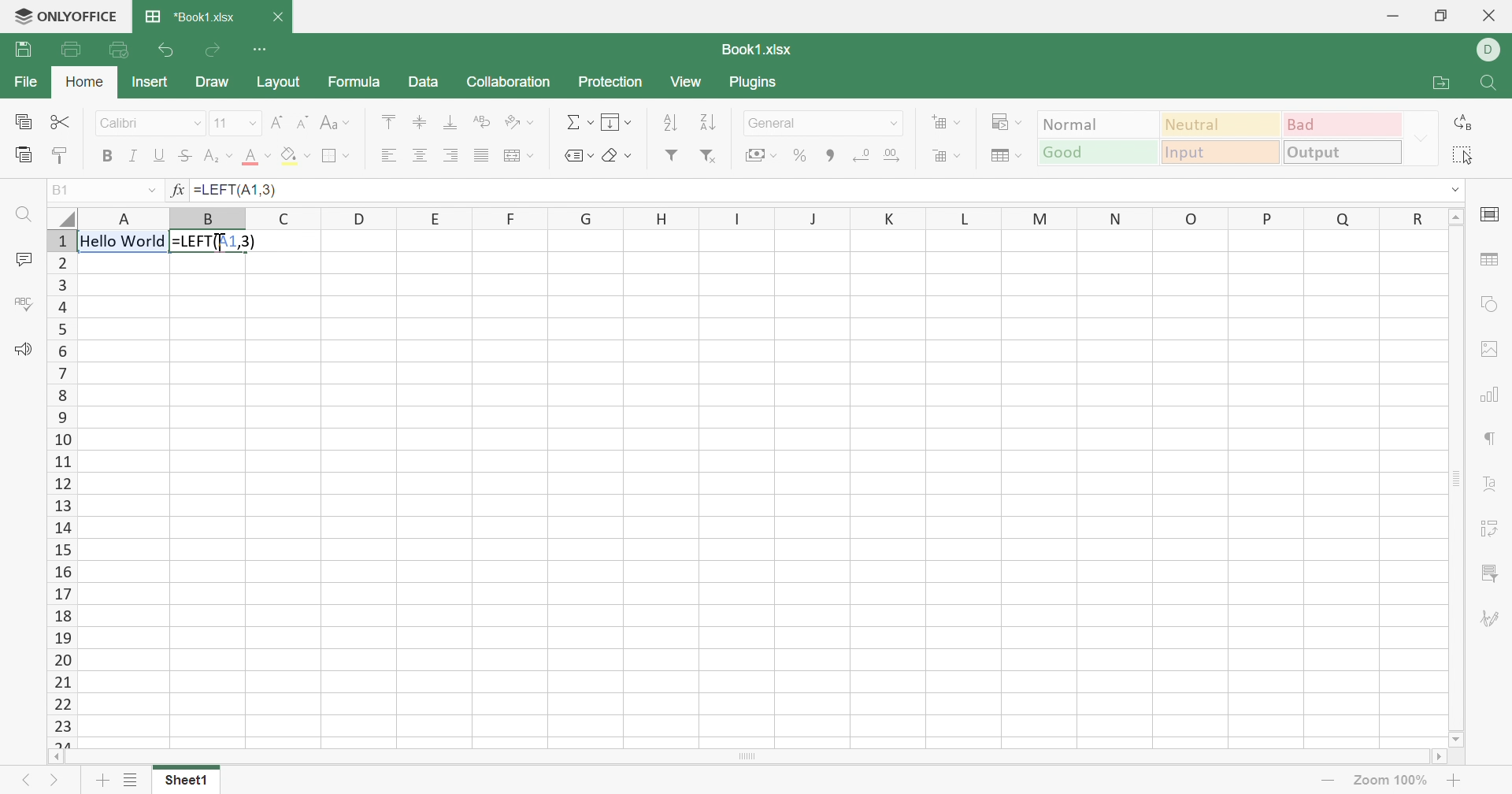 Image resolution: width=1512 pixels, height=794 pixels. What do you see at coordinates (29, 80) in the screenshot?
I see `File` at bounding box center [29, 80].